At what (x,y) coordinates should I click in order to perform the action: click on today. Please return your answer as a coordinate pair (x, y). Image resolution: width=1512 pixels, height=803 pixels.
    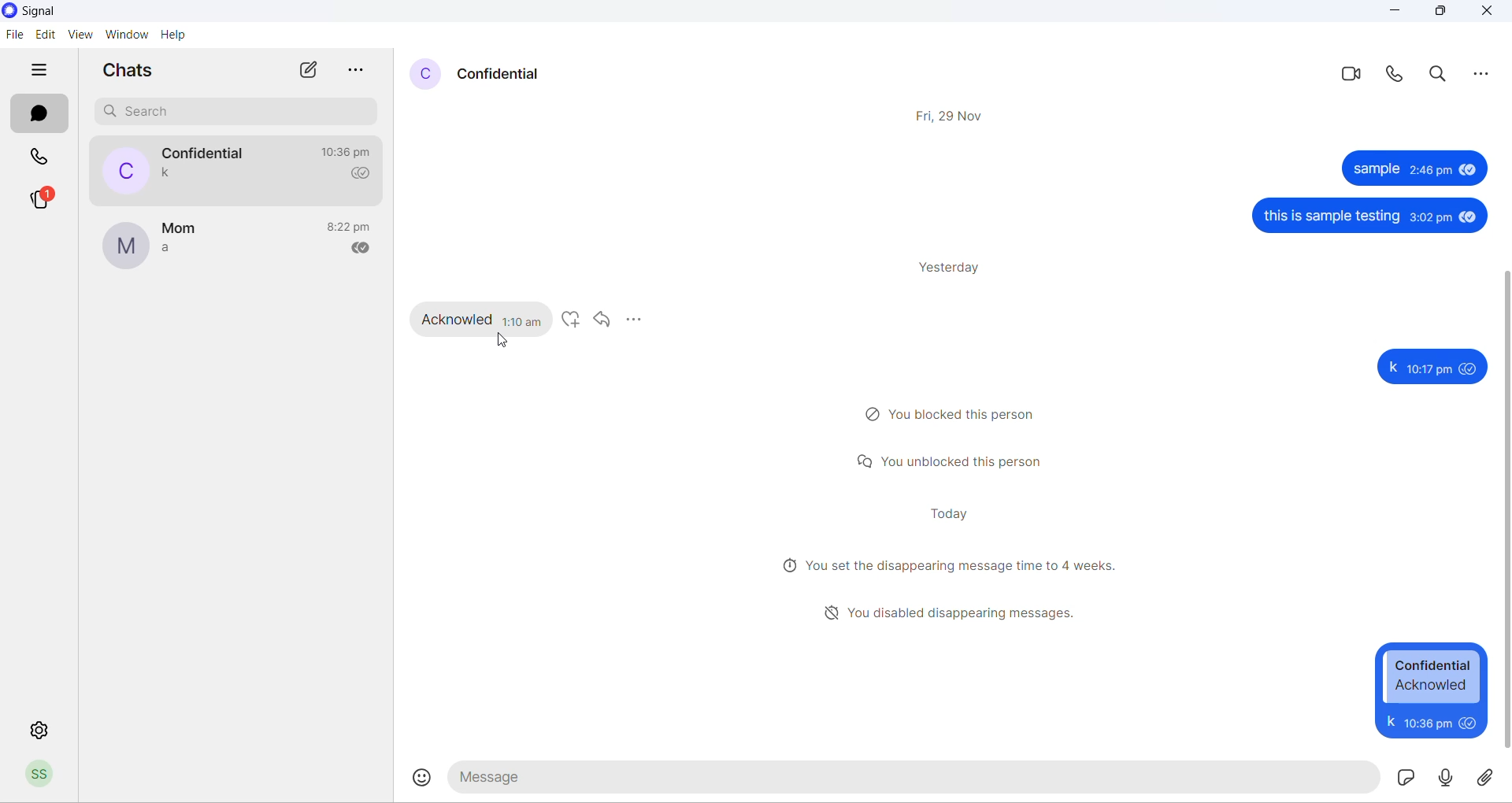
    Looking at the image, I should click on (953, 512).